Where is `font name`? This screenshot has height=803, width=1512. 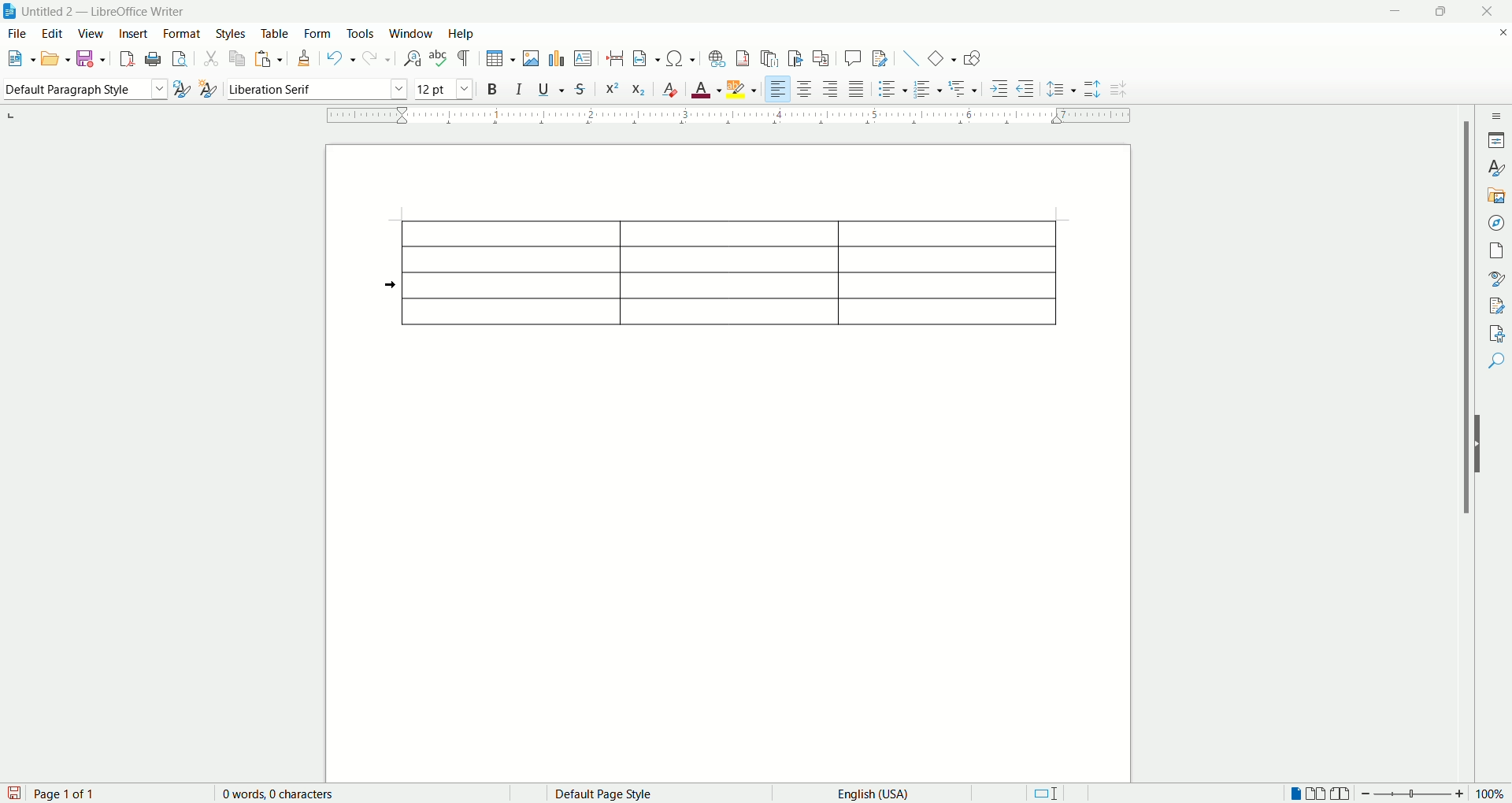
font name is located at coordinates (315, 87).